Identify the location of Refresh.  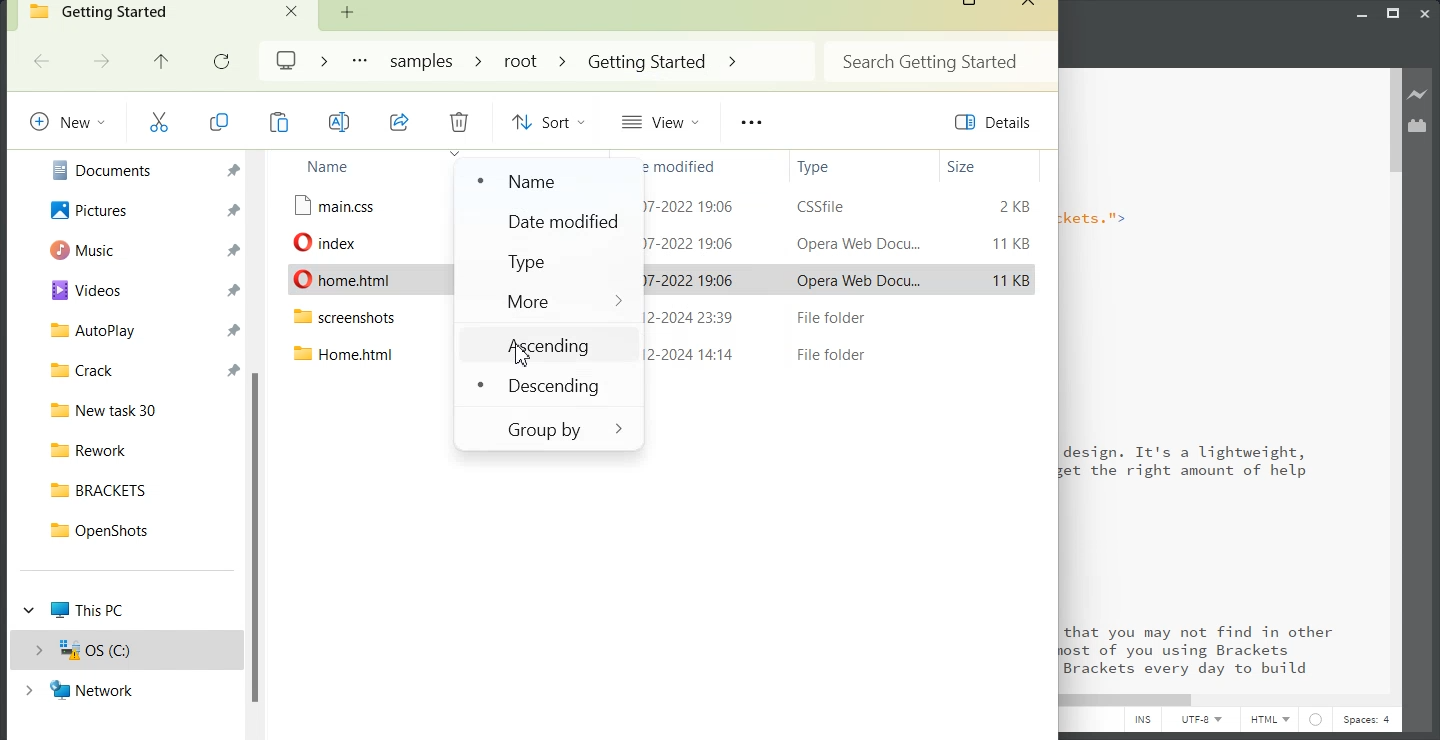
(224, 60).